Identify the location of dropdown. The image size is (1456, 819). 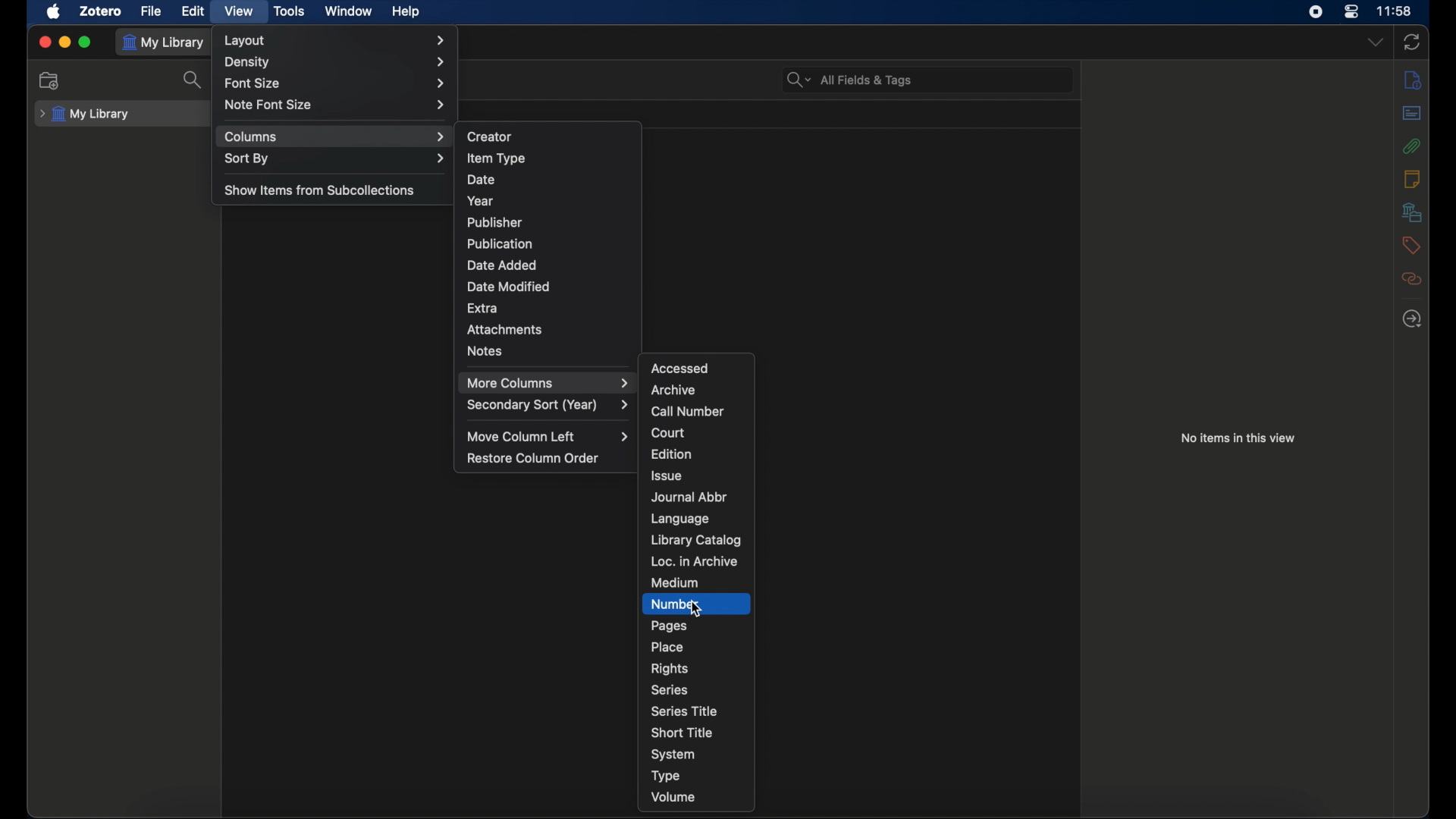
(1376, 42).